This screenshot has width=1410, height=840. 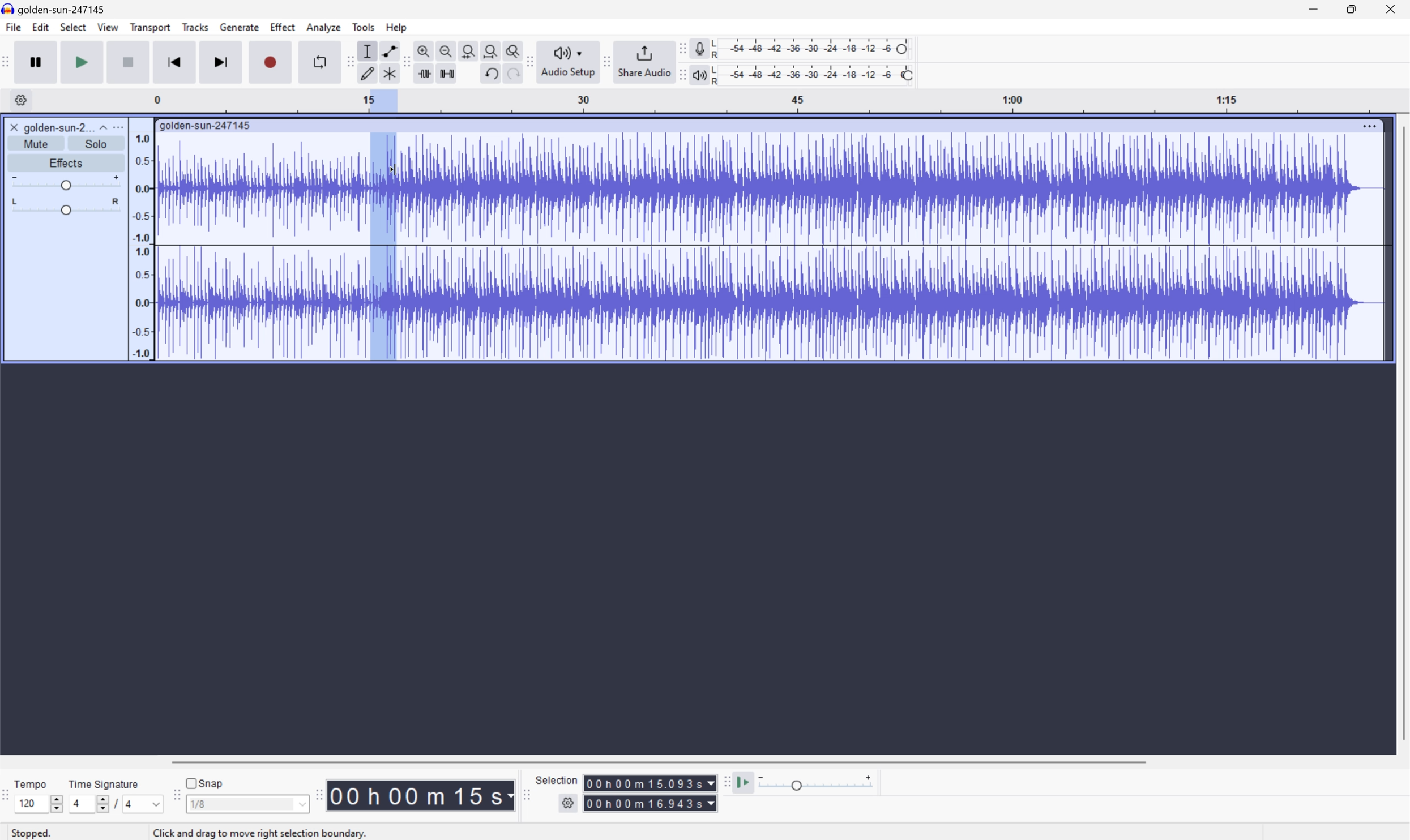 I want to click on Mute, so click(x=40, y=143).